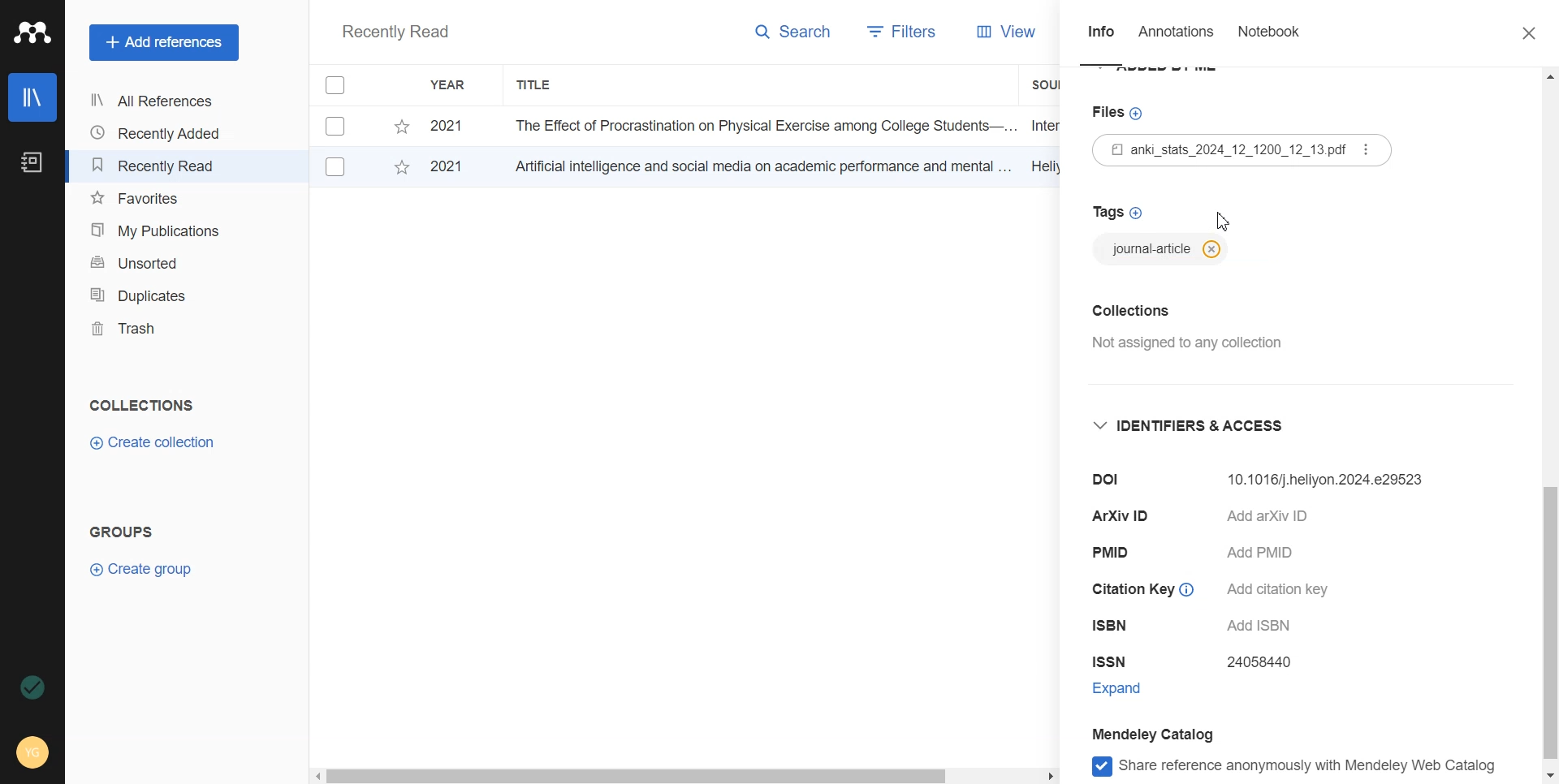 The image size is (1559, 784). I want to click on Checkbox, so click(338, 85).